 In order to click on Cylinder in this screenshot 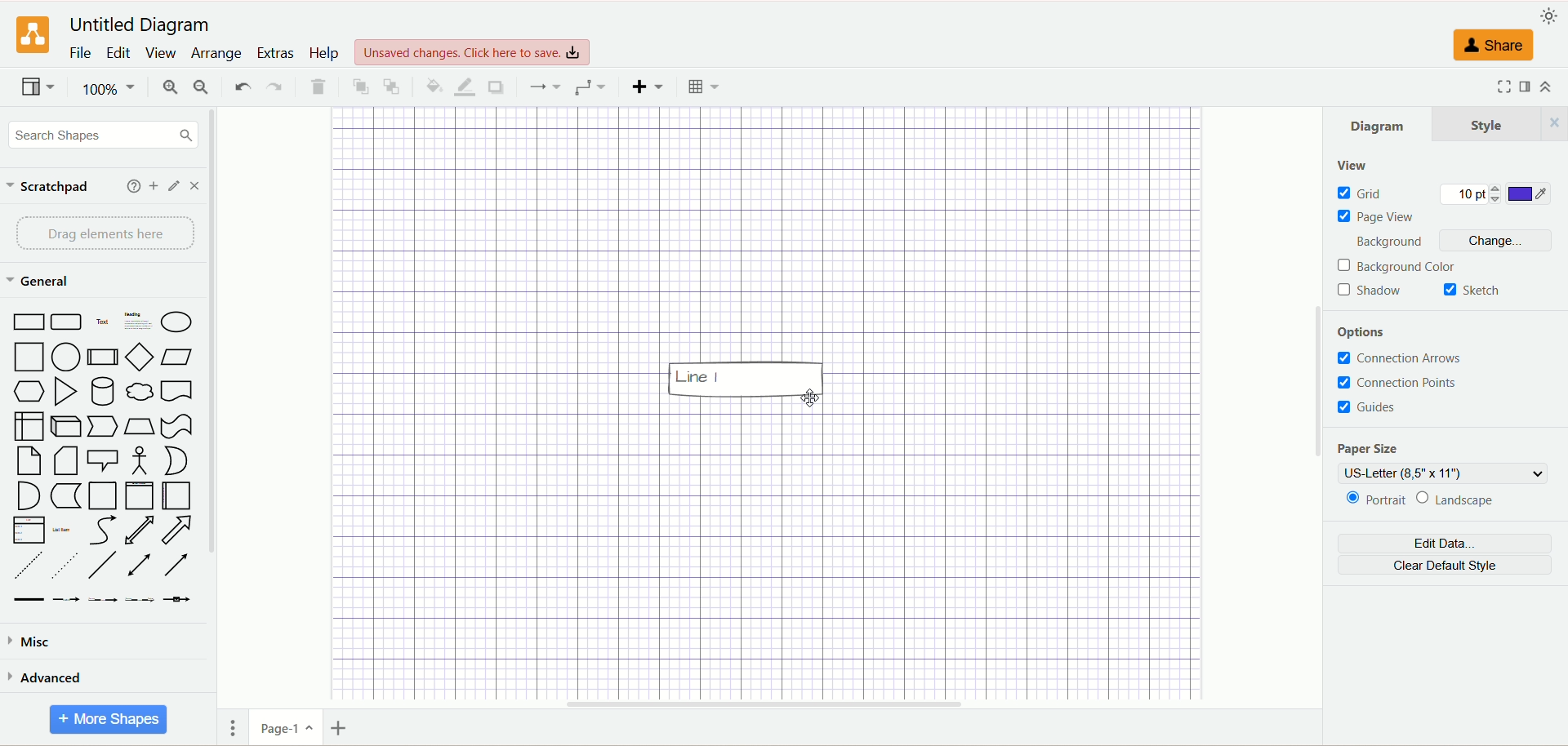, I will do `click(102, 391)`.